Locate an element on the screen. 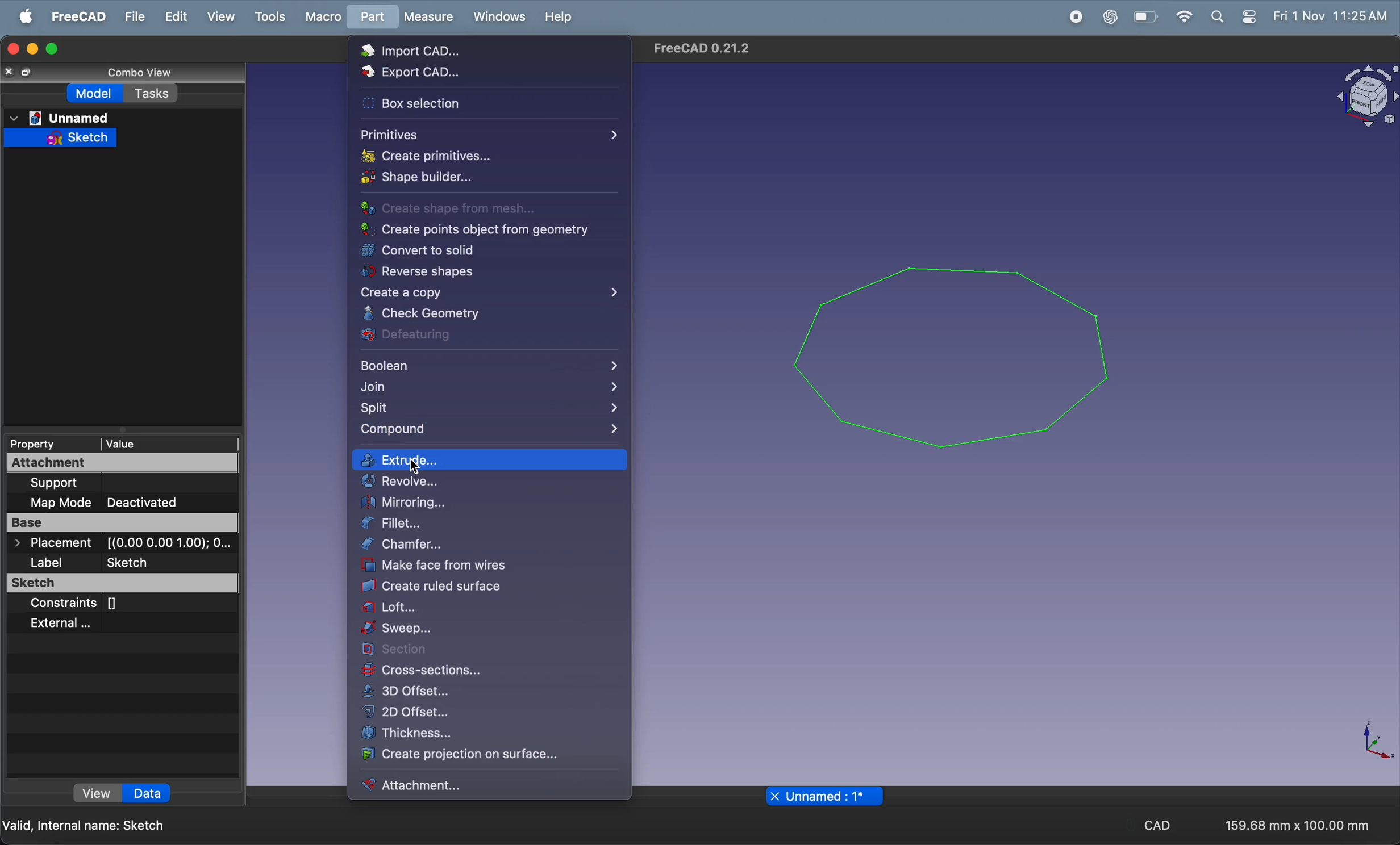 This screenshot has height=845, width=1400. apple menu is located at coordinates (22, 16).